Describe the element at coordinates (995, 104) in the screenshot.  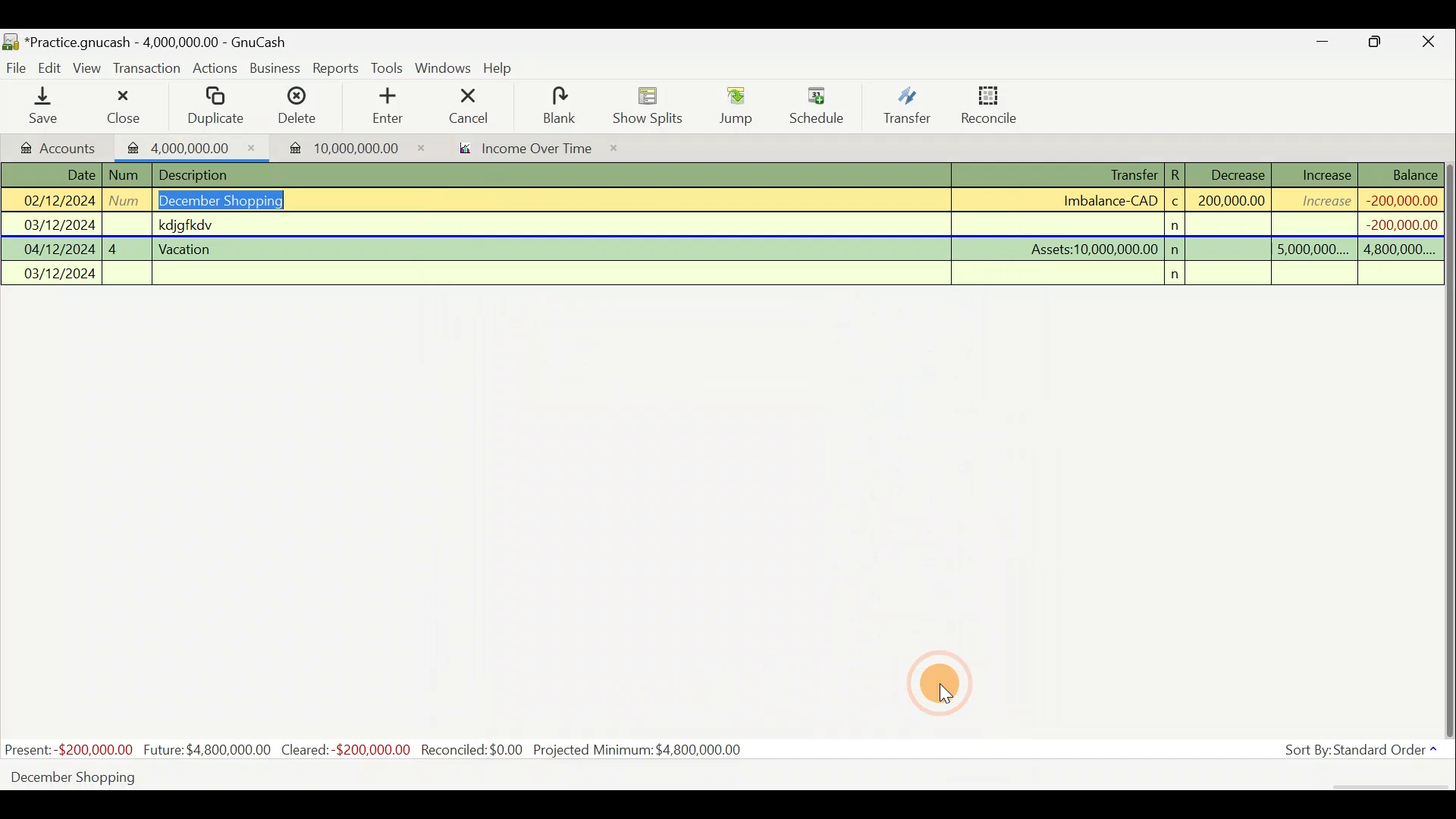
I see `Reconcile` at that location.